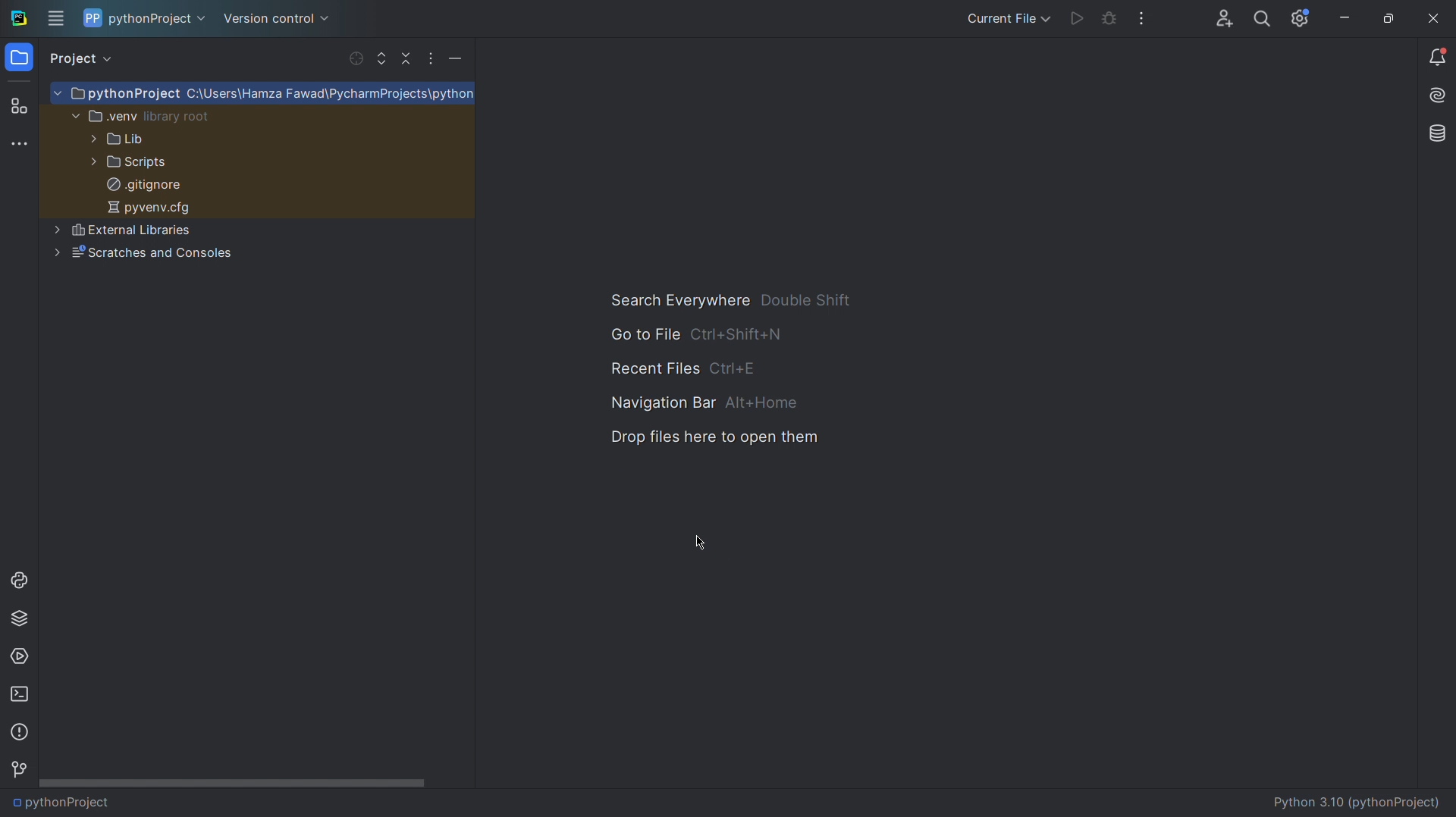  What do you see at coordinates (23, 618) in the screenshot?
I see `Python packages` at bounding box center [23, 618].